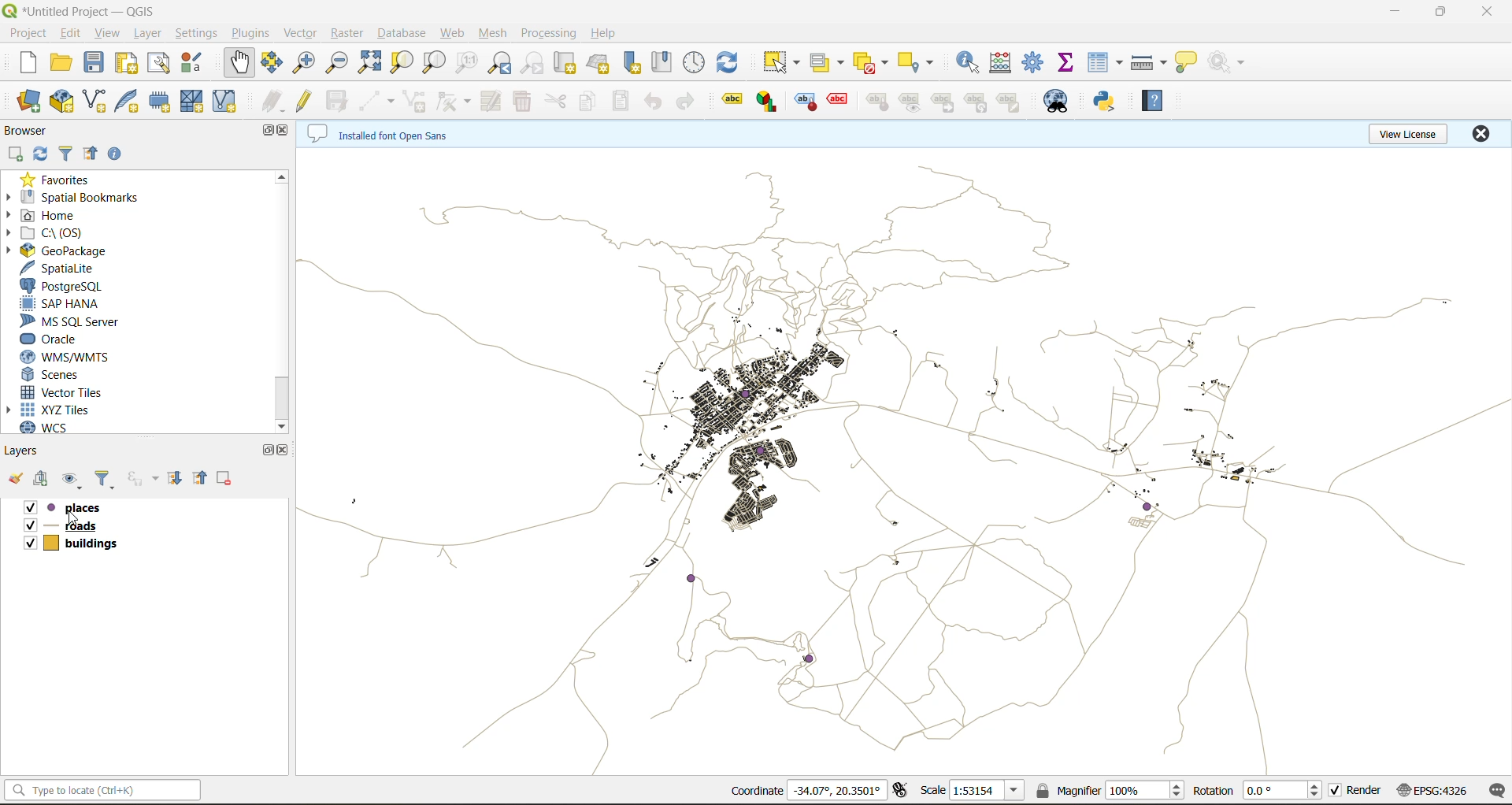 The image size is (1512, 805). Describe the element at coordinates (594, 101) in the screenshot. I see `copy` at that location.